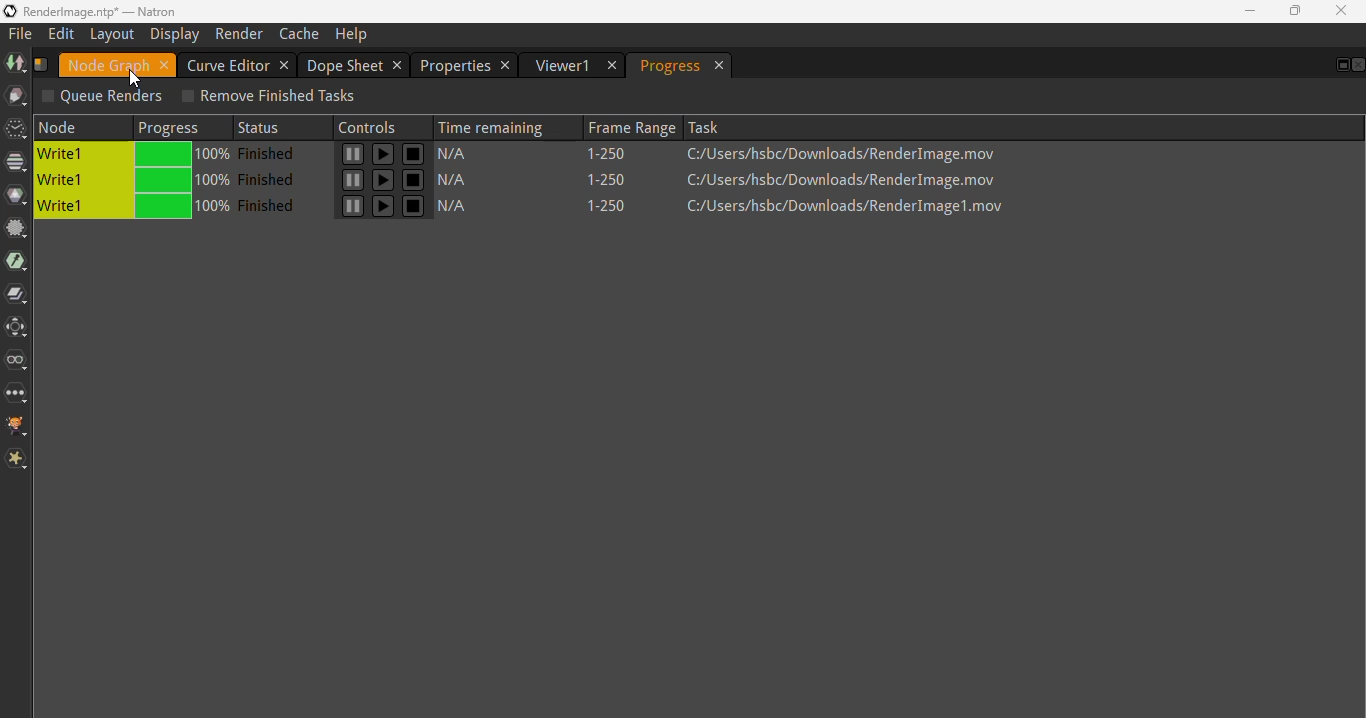  Describe the element at coordinates (352, 181) in the screenshot. I see `play` at that location.